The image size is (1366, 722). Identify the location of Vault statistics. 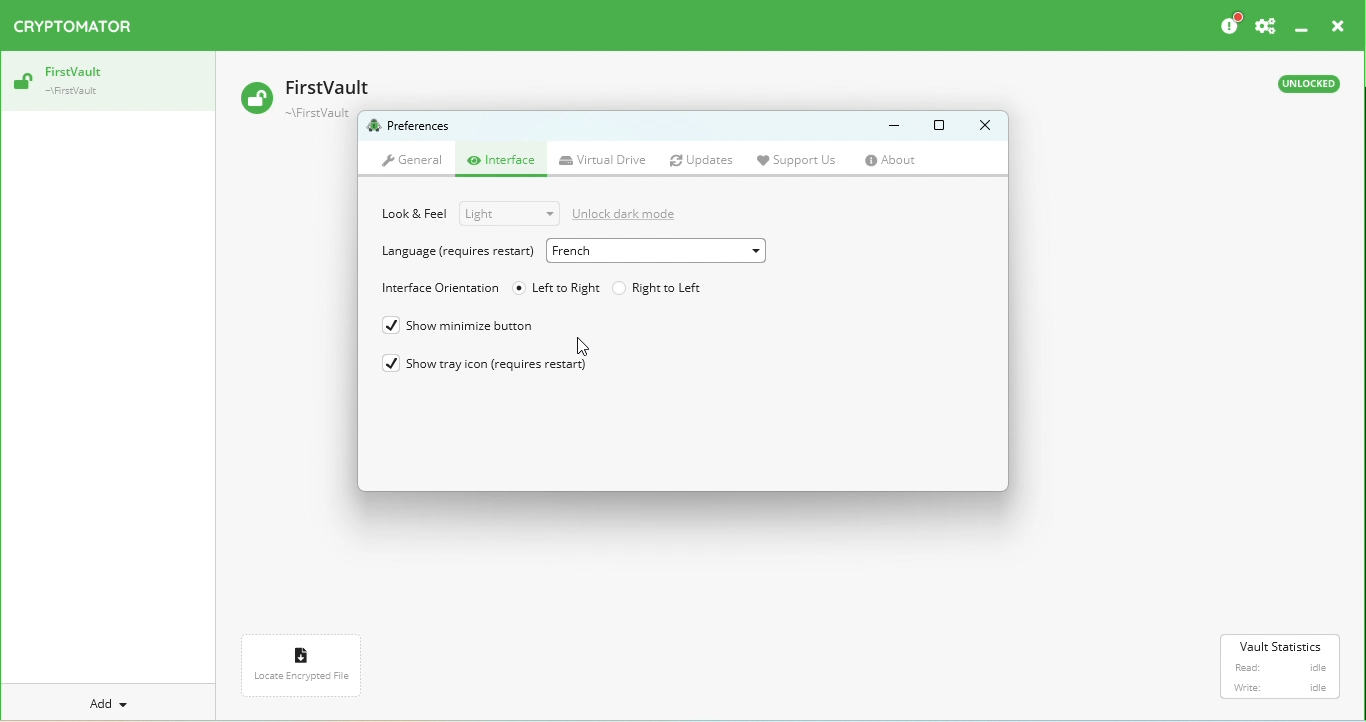
(1283, 667).